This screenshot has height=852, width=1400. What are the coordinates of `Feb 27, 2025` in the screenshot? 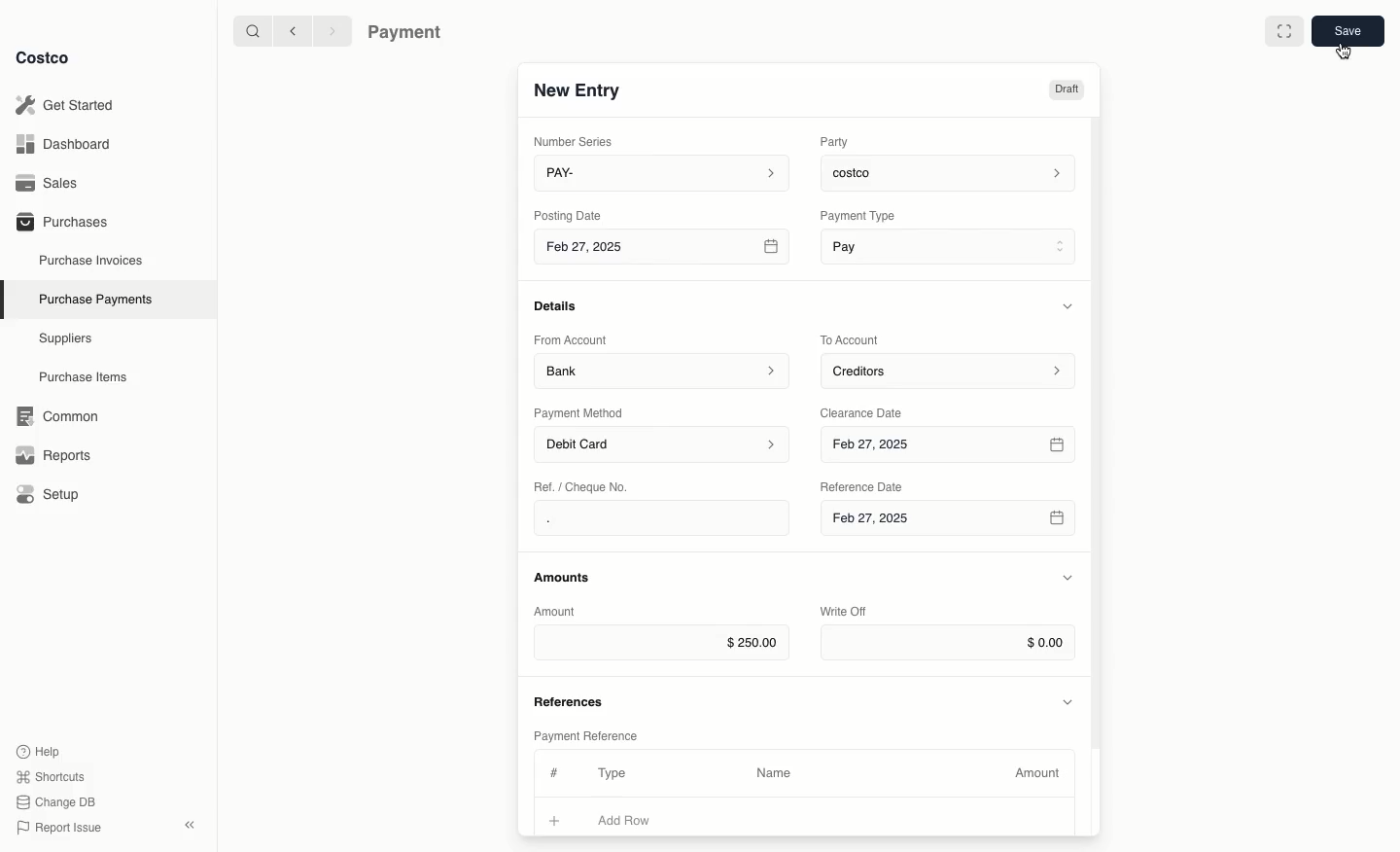 It's located at (664, 250).